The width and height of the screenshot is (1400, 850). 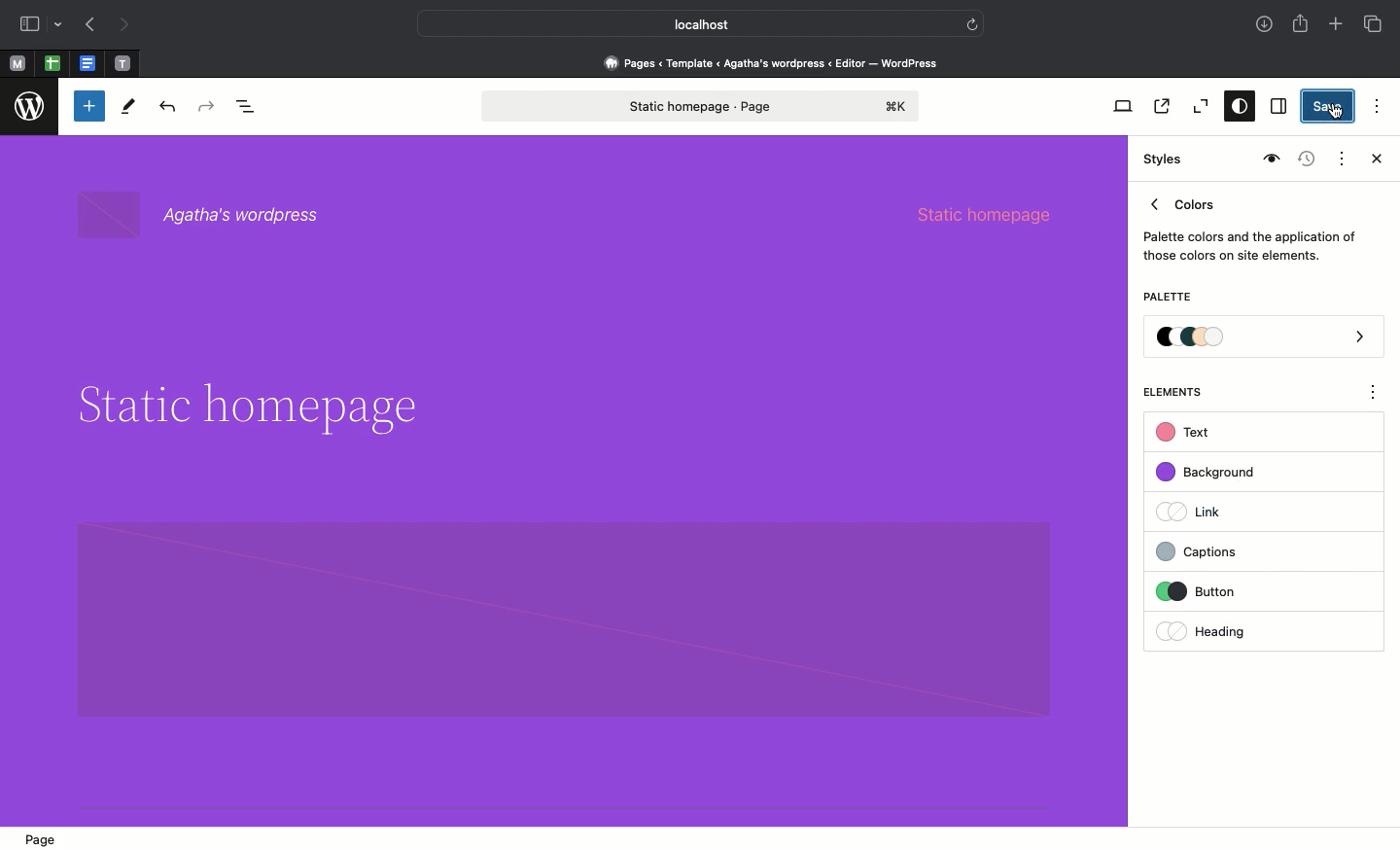 What do you see at coordinates (972, 22) in the screenshot?
I see `refresh` at bounding box center [972, 22].